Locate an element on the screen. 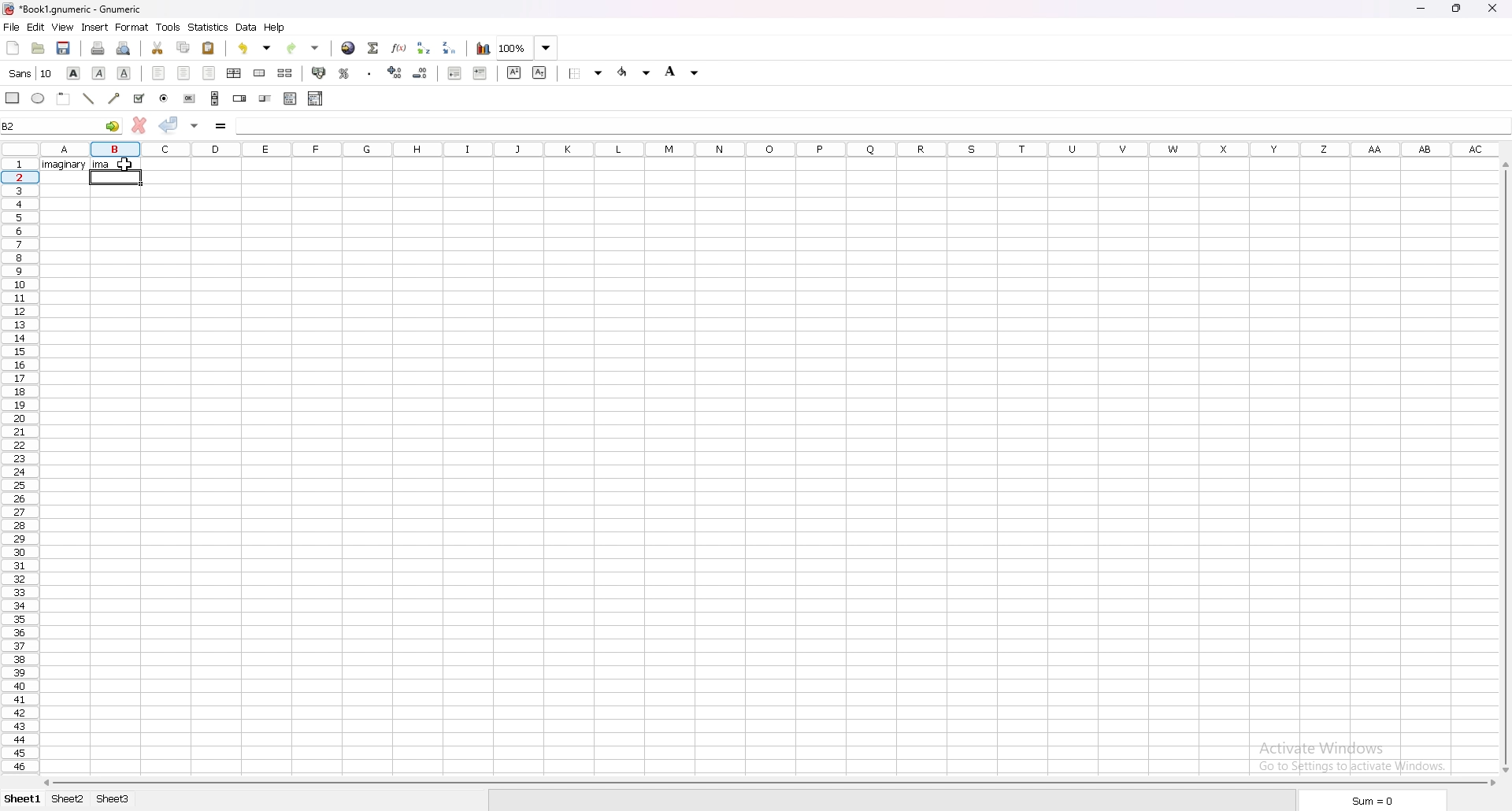 The image size is (1512, 811). thousands separator is located at coordinates (369, 72).